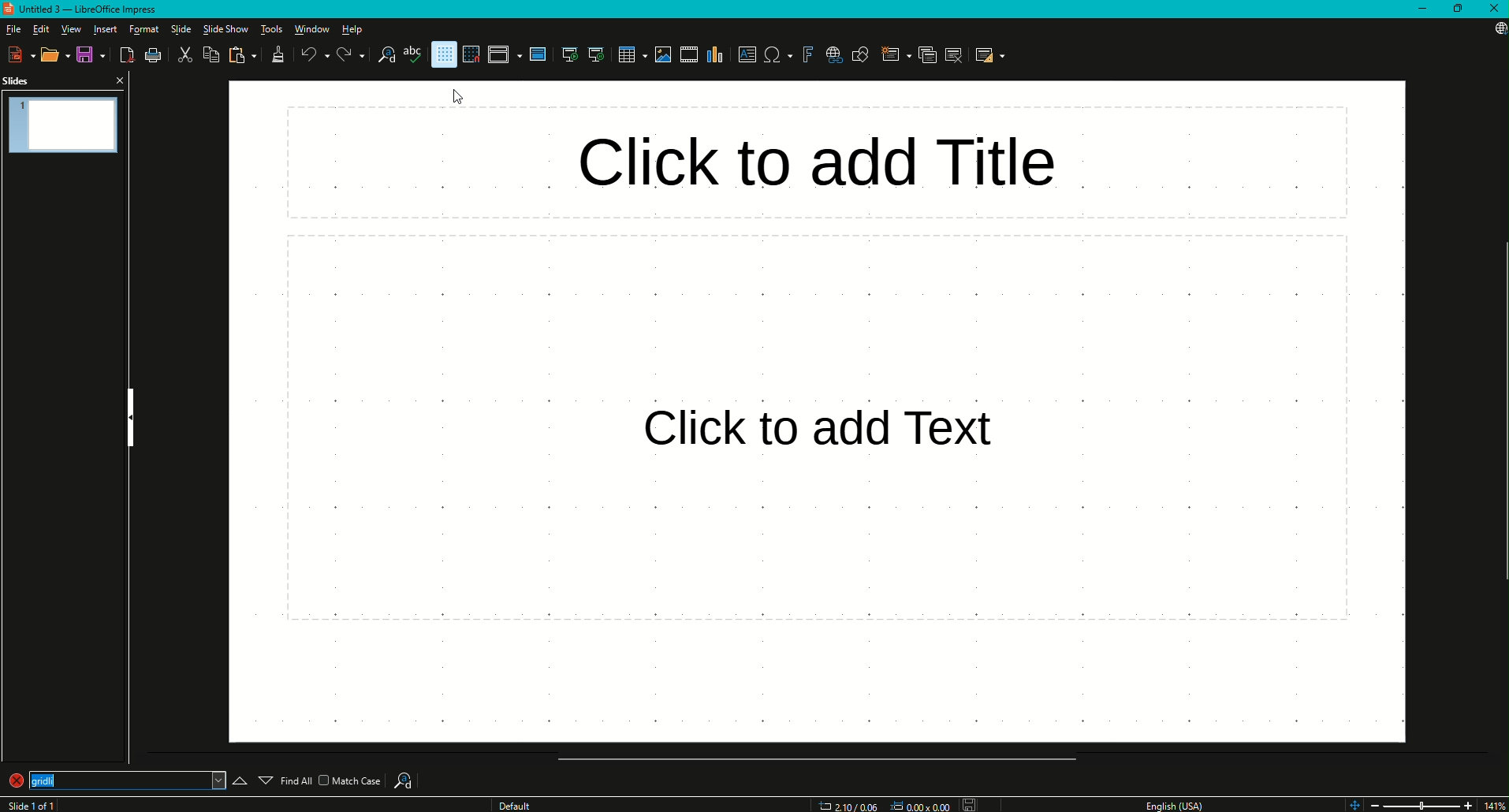 This screenshot has width=1509, height=812. I want to click on Restore, so click(1457, 9).